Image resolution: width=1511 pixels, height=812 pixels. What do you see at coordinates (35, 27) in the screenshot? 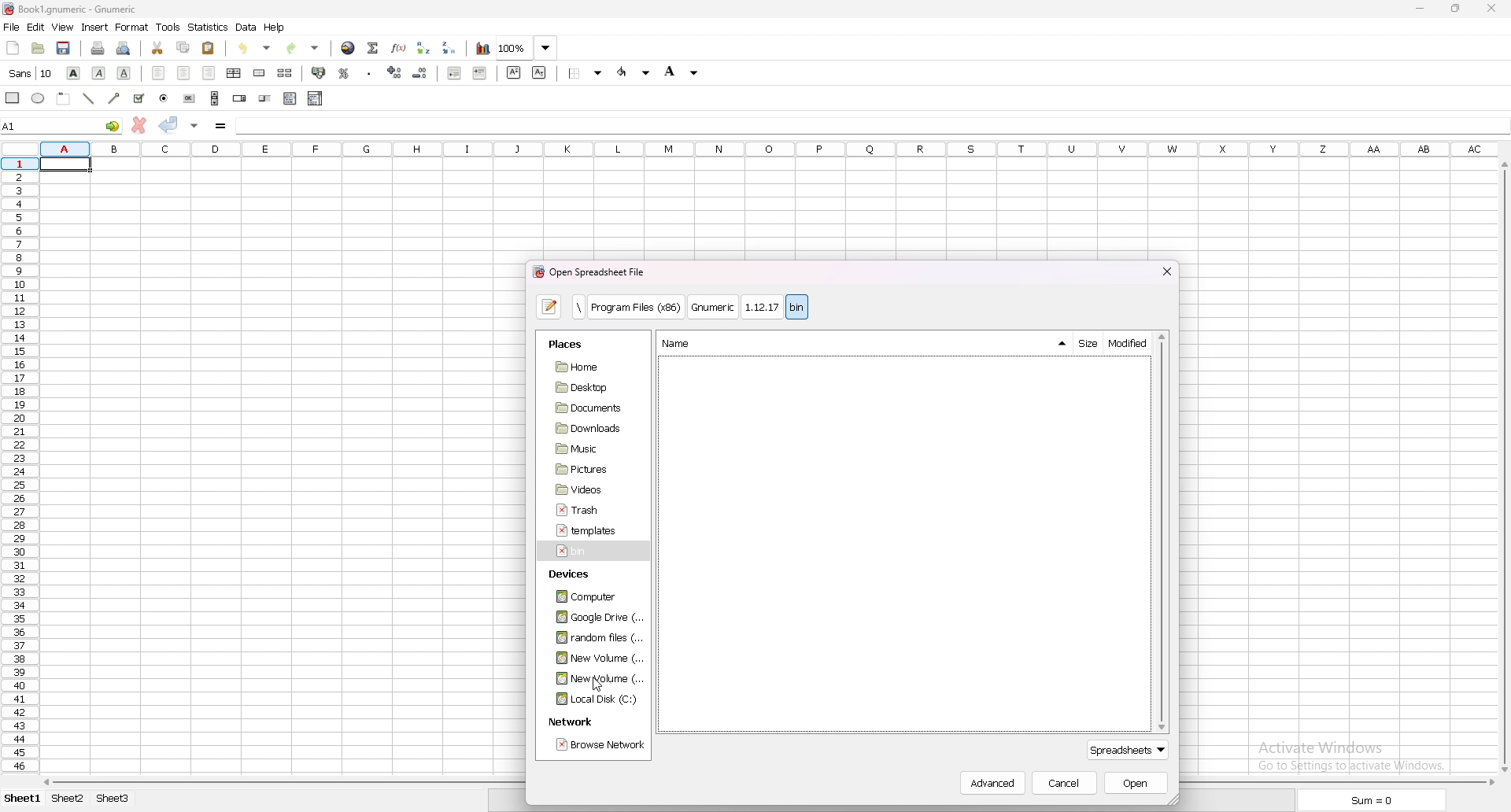
I see `edit` at bounding box center [35, 27].